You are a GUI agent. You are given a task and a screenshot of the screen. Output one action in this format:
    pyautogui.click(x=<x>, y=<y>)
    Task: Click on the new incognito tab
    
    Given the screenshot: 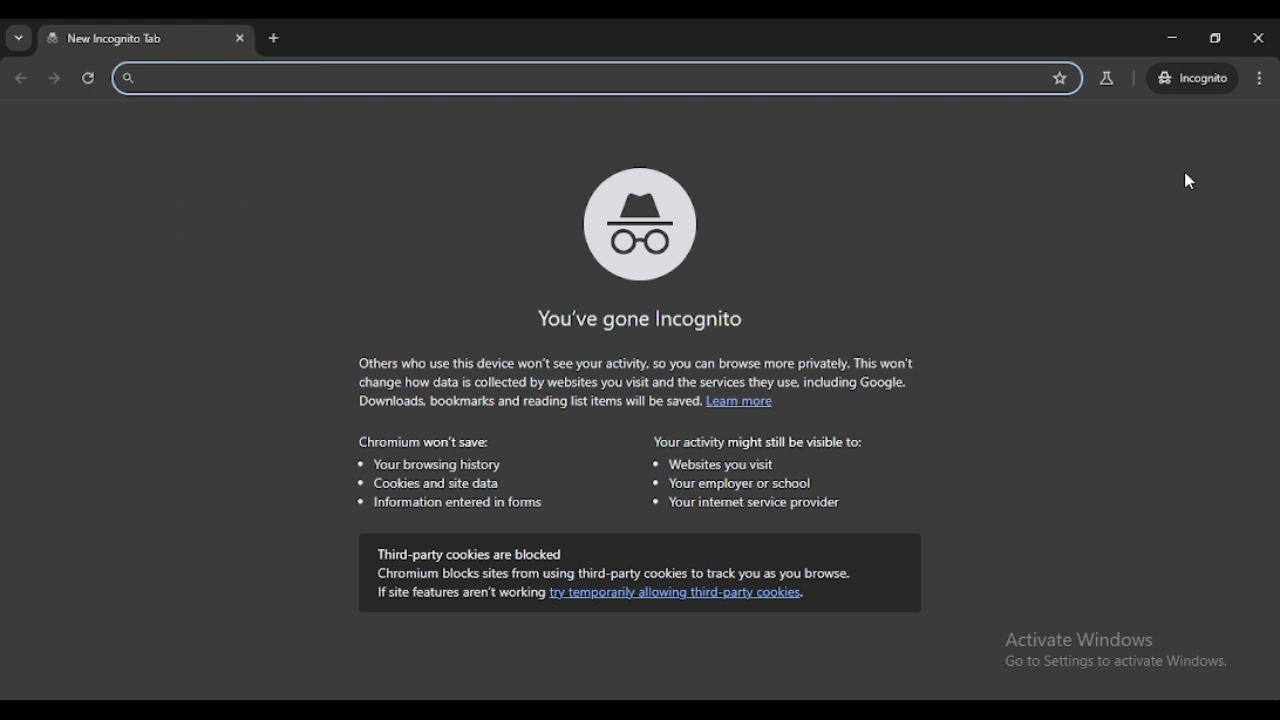 What is the action you would take?
    pyautogui.click(x=109, y=39)
    